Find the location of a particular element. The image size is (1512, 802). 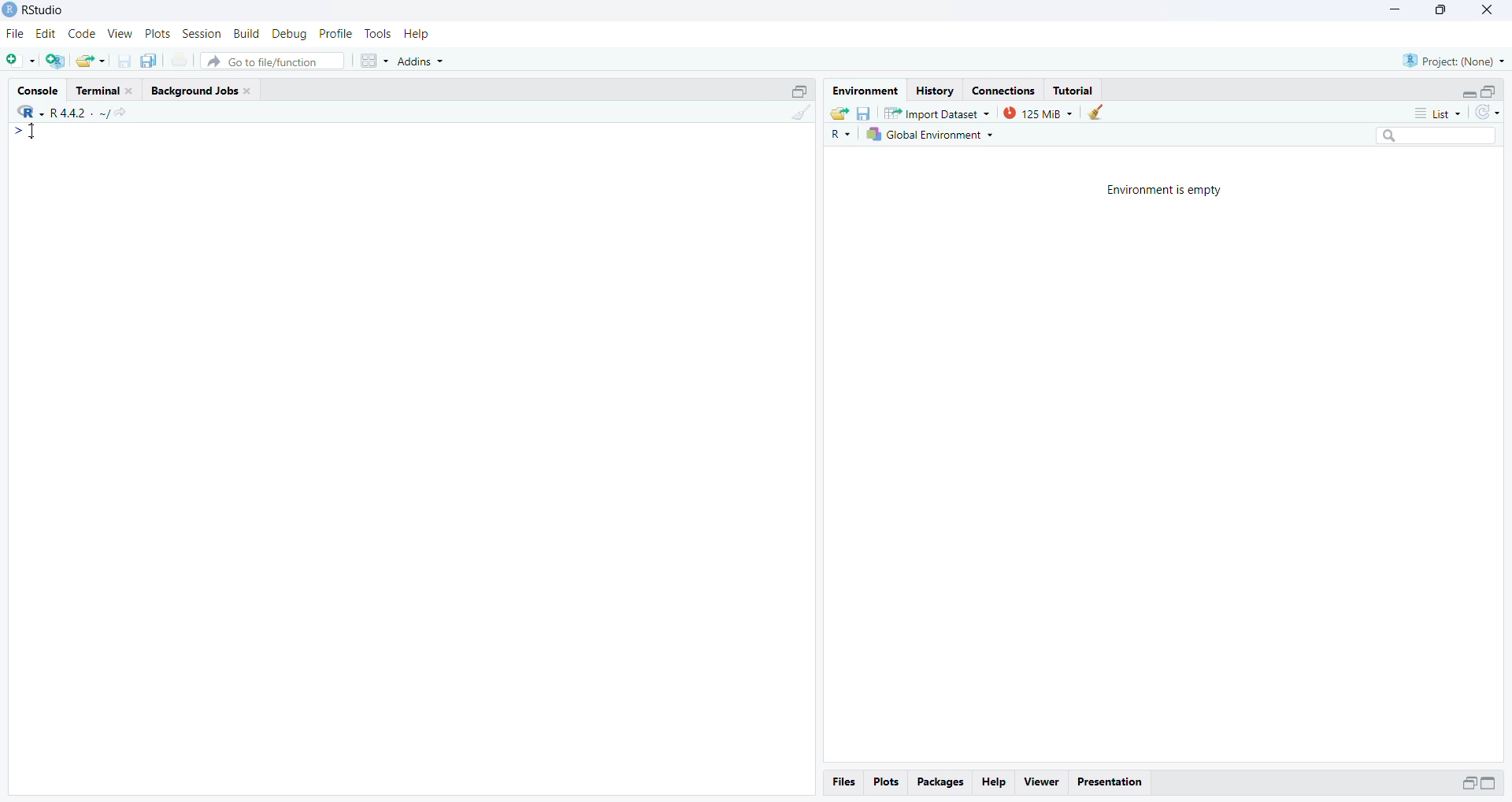

Help is located at coordinates (994, 783).